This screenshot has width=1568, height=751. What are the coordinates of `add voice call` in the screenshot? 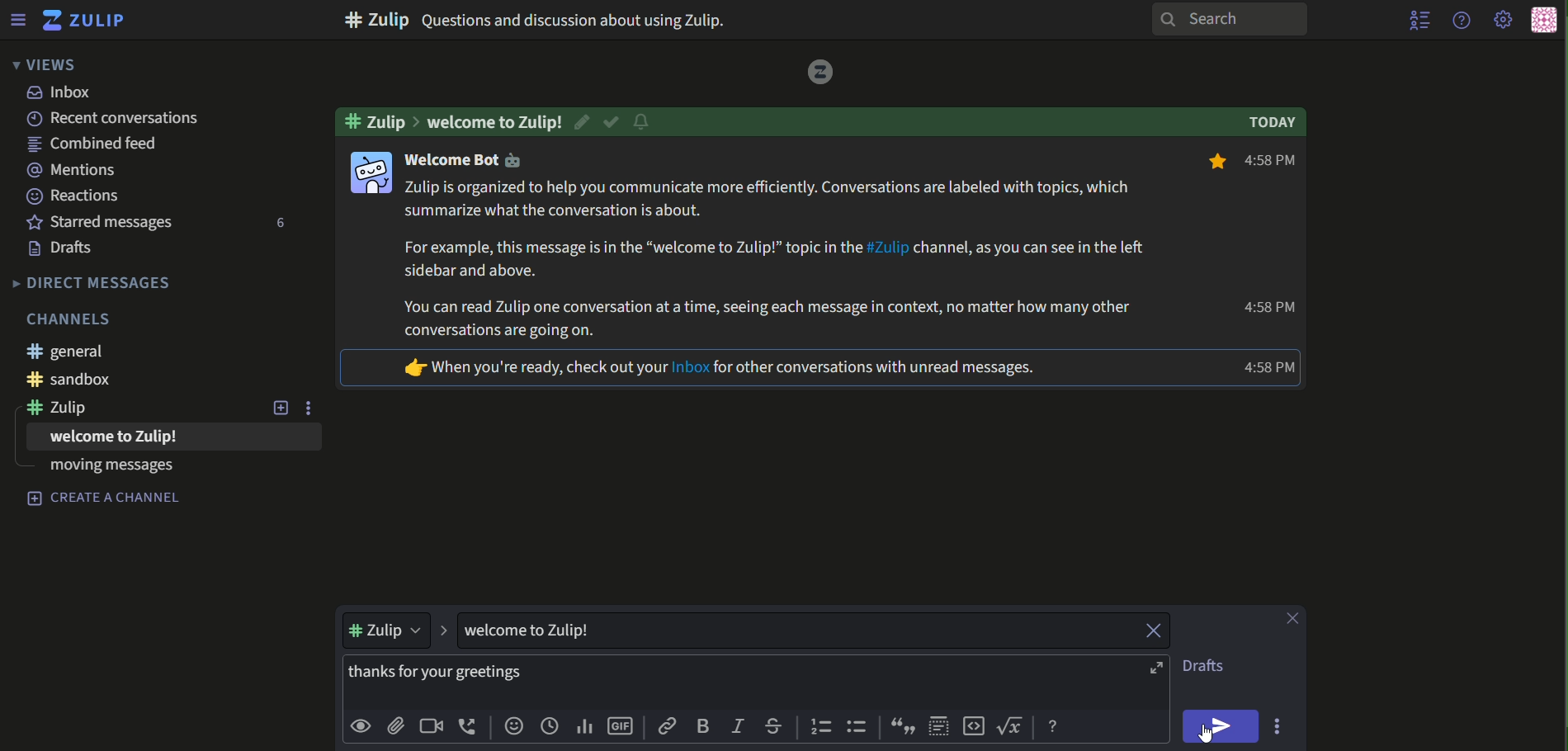 It's located at (469, 726).